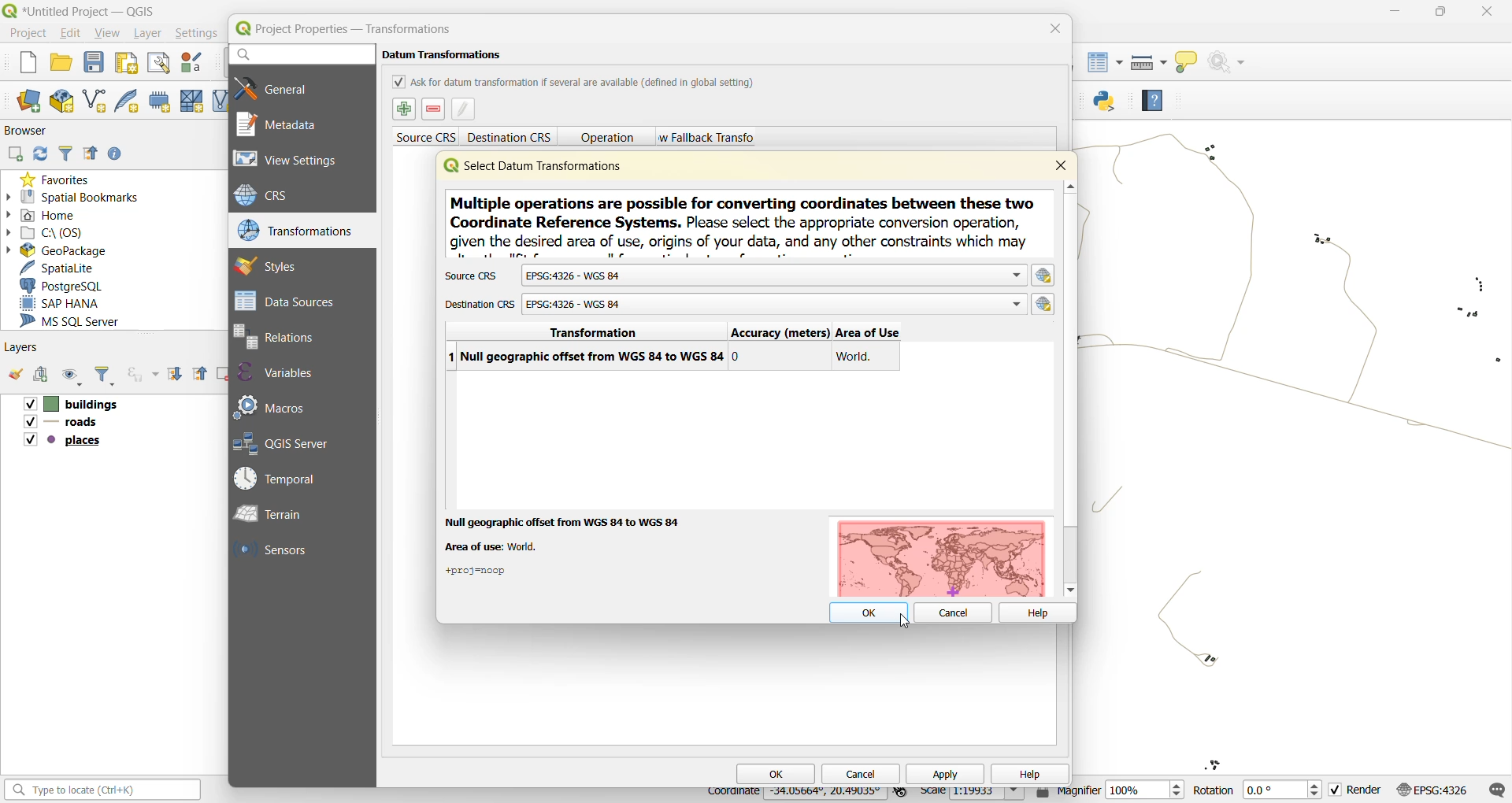  I want to click on null geographic offset from WGS 84 to WGS 84, so click(594, 357).